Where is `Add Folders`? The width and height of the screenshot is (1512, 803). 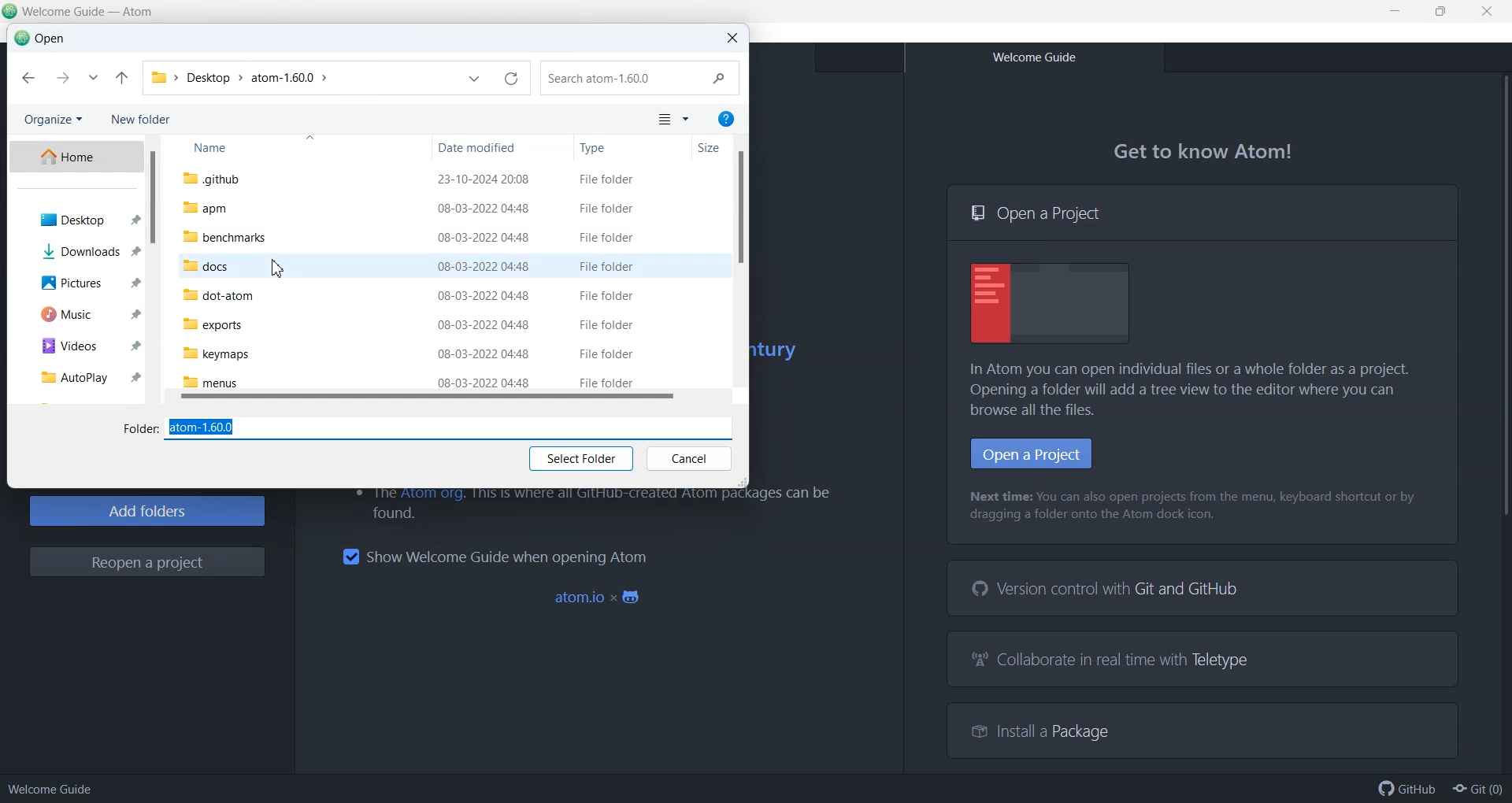
Add Folders is located at coordinates (146, 511).